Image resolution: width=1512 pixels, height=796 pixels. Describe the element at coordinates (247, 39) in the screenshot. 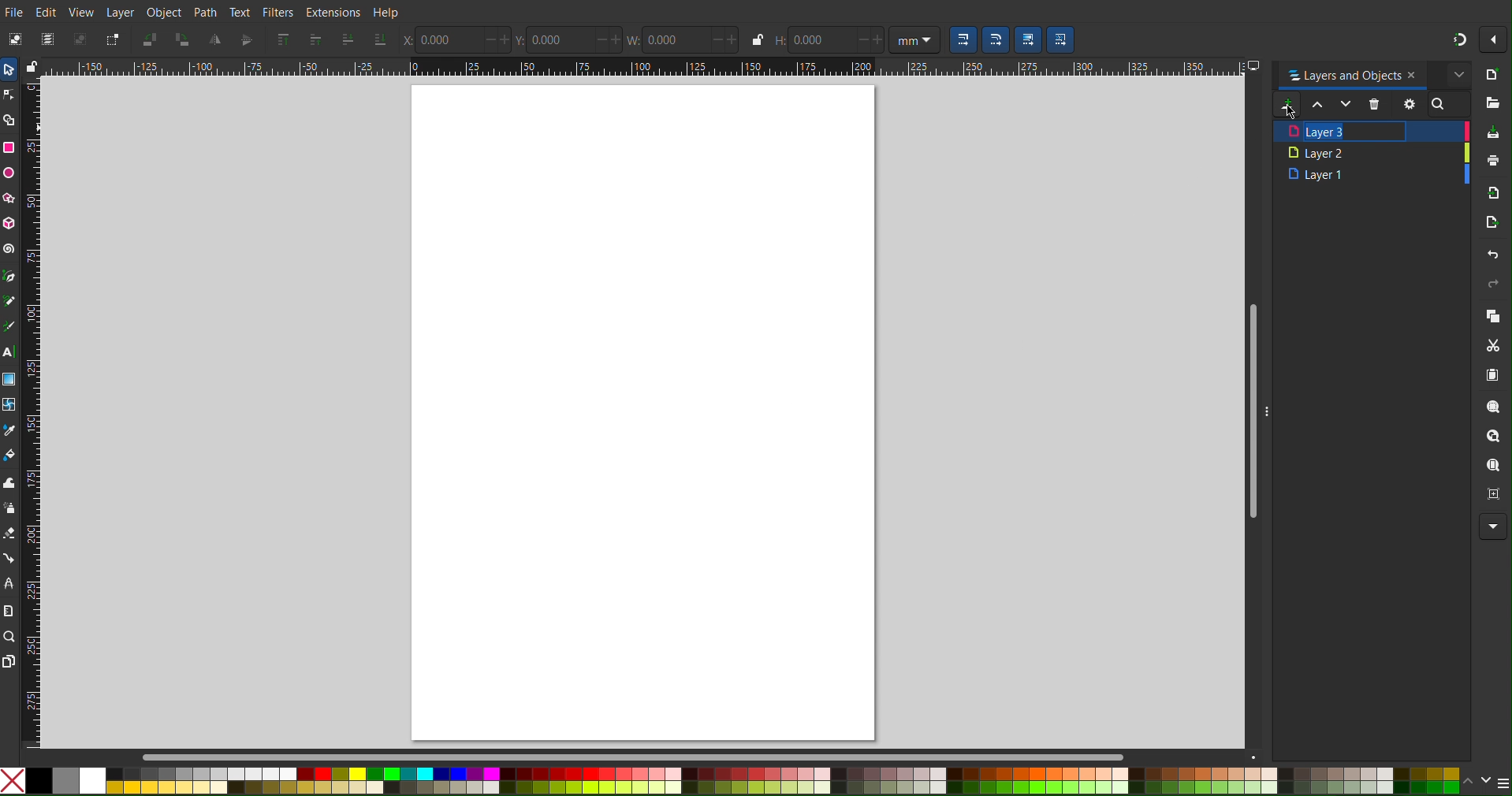

I see `Mirror Horizontally` at that location.